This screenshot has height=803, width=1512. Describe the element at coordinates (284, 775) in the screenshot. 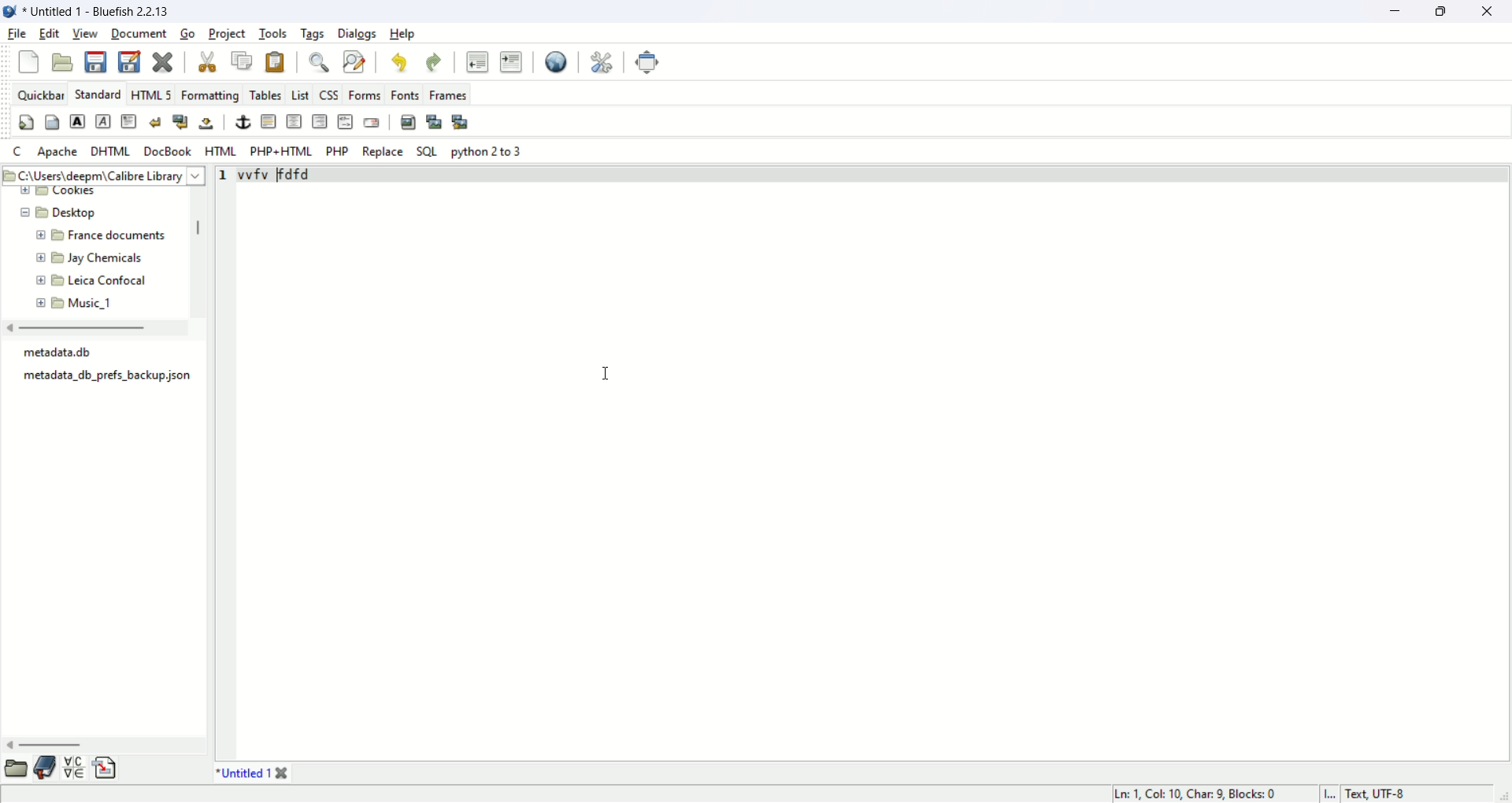

I see `close` at that location.